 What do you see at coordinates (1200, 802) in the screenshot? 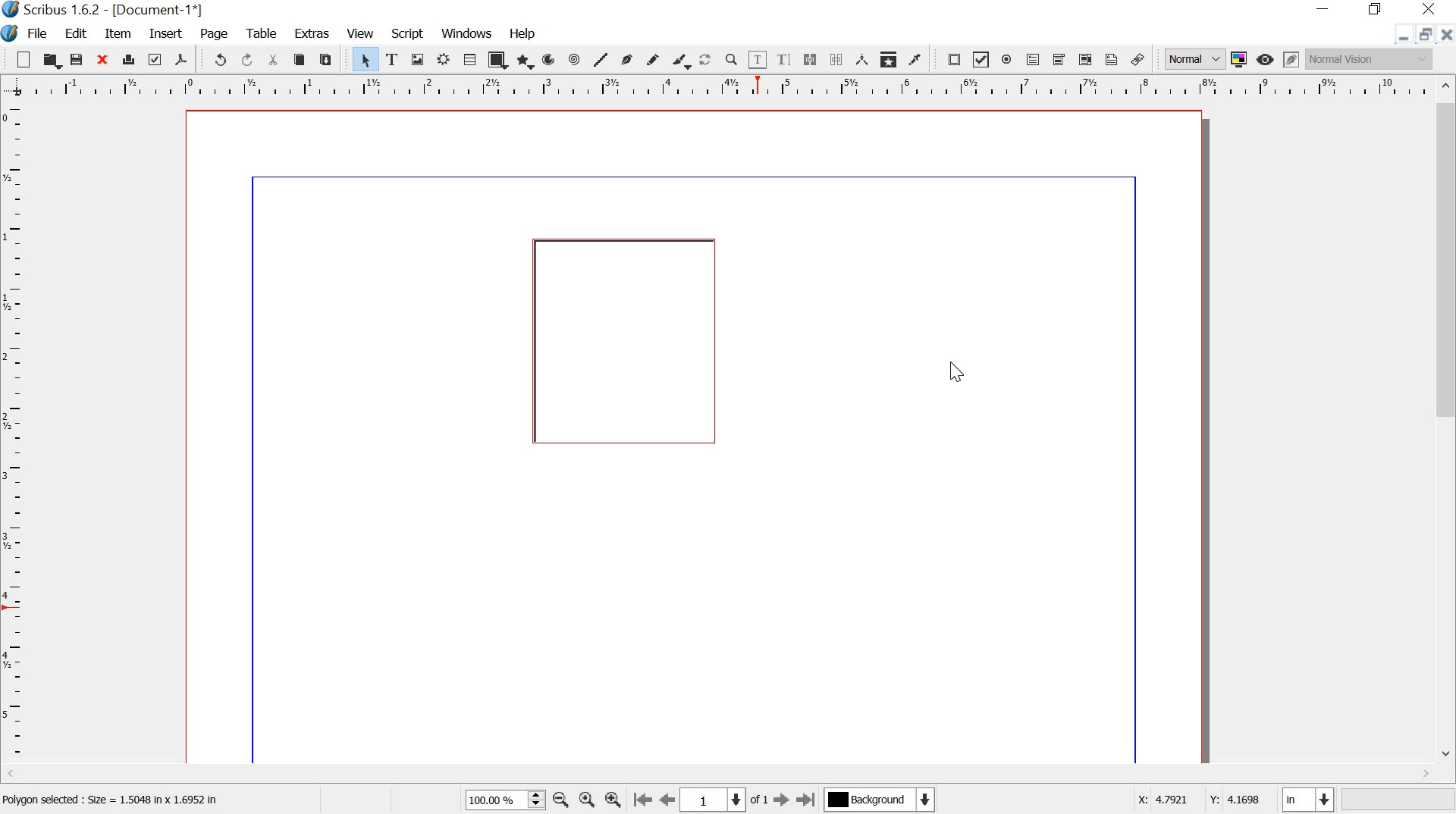
I see `X: 4.7921 Y: 4.1698` at bounding box center [1200, 802].